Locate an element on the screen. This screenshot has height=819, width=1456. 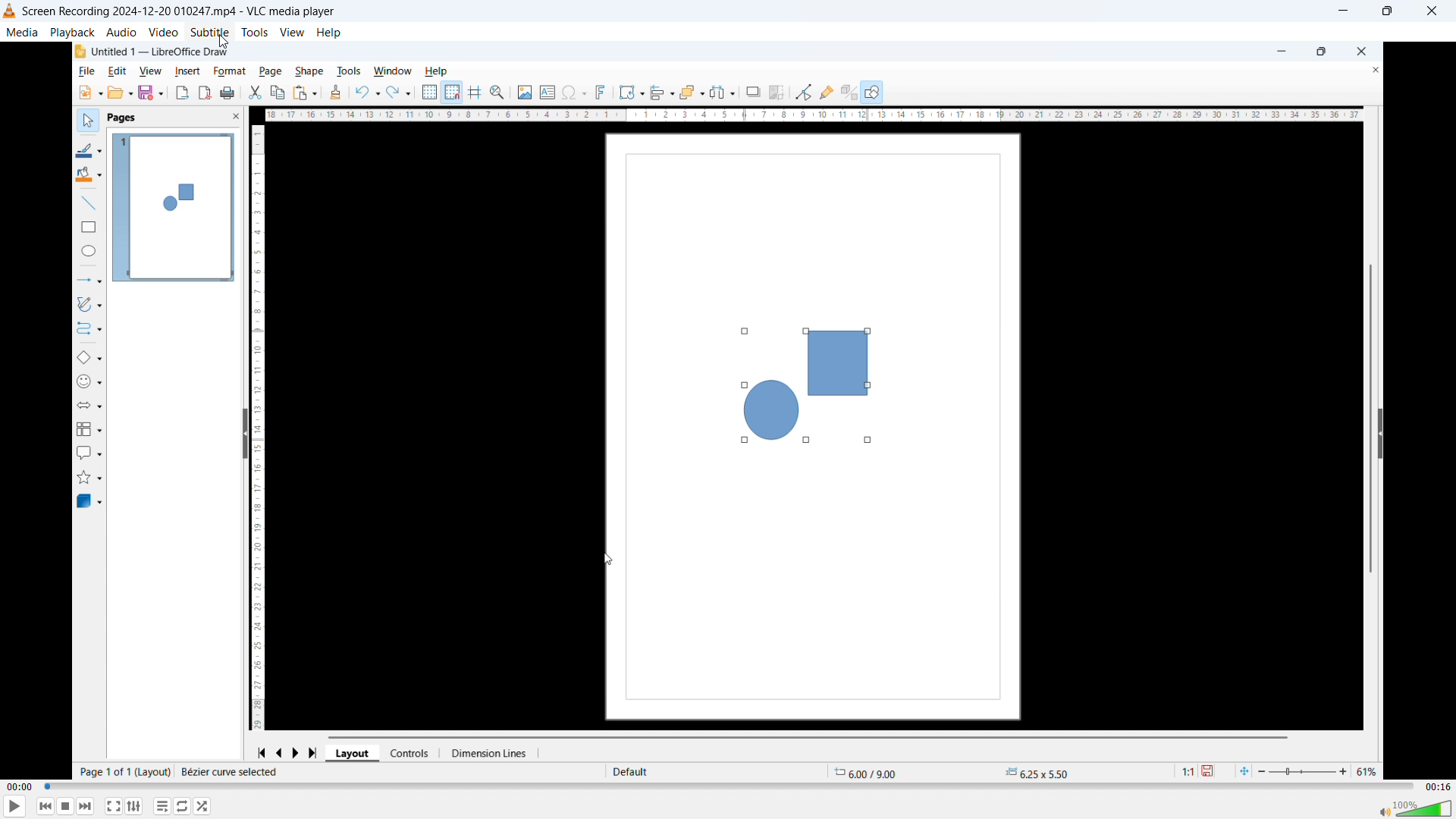
basic shapes is located at coordinates (90, 359).